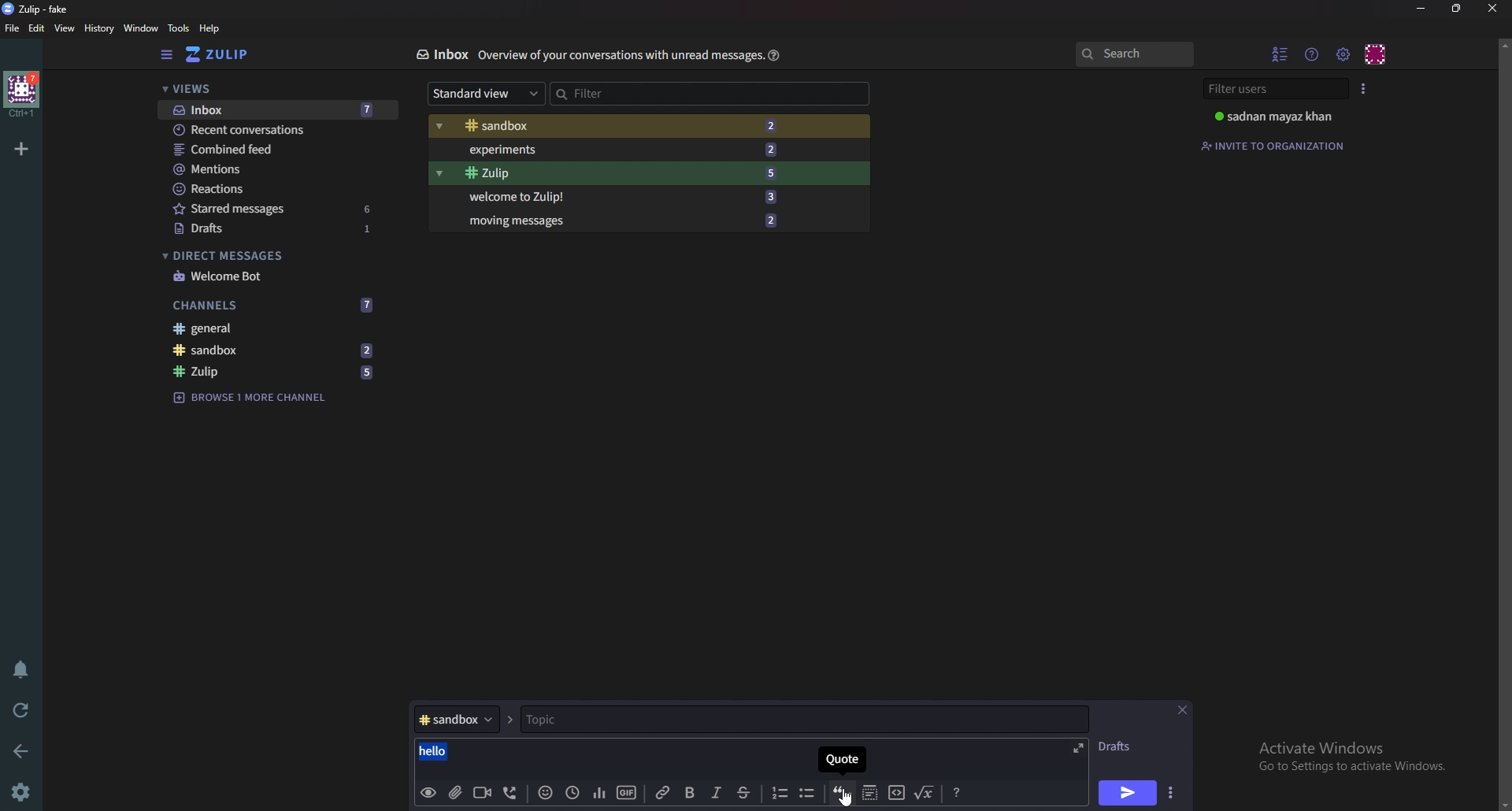  Describe the element at coordinates (269, 171) in the screenshot. I see `Mentions` at that location.